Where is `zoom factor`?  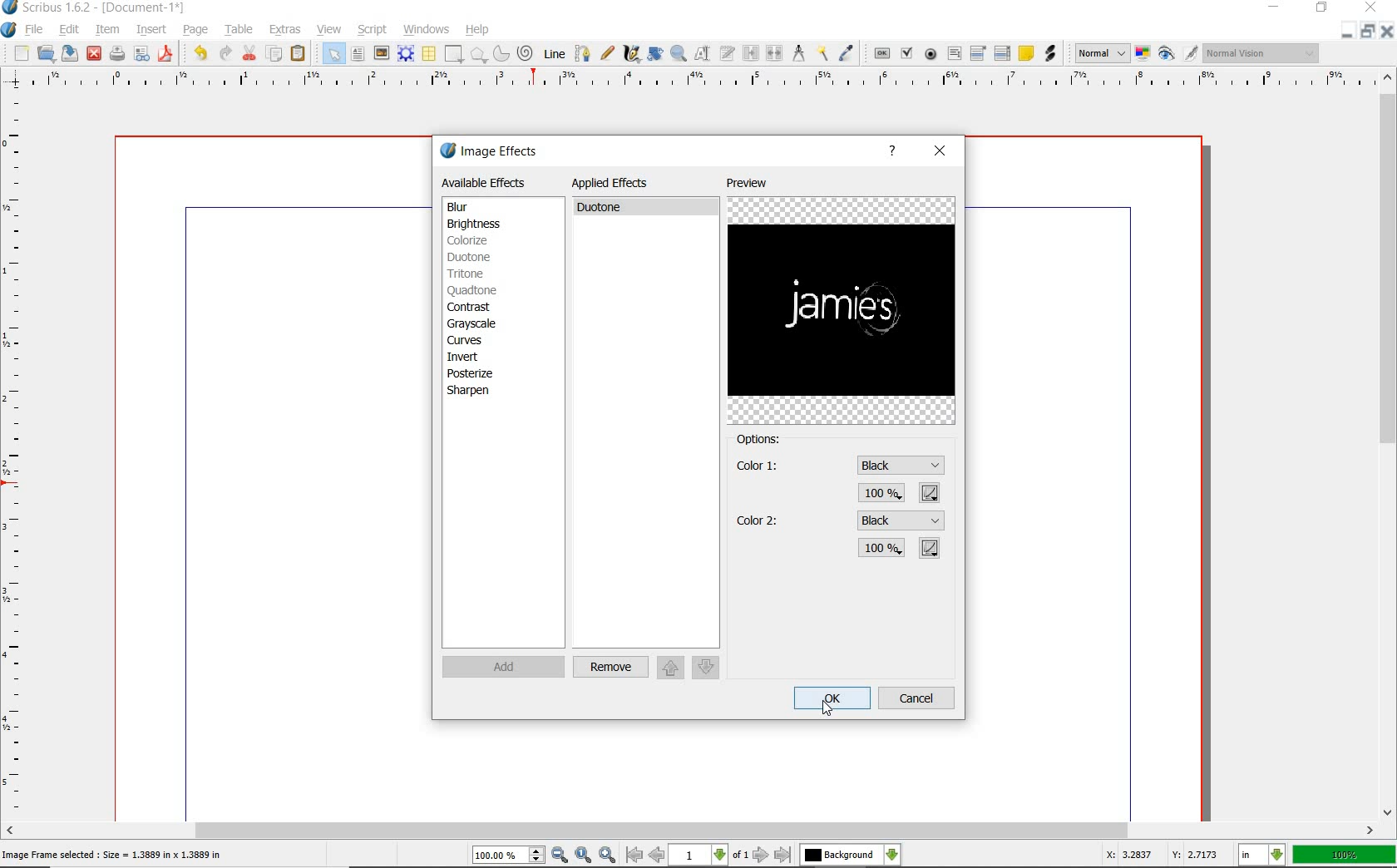
zoom factor is located at coordinates (1345, 856).